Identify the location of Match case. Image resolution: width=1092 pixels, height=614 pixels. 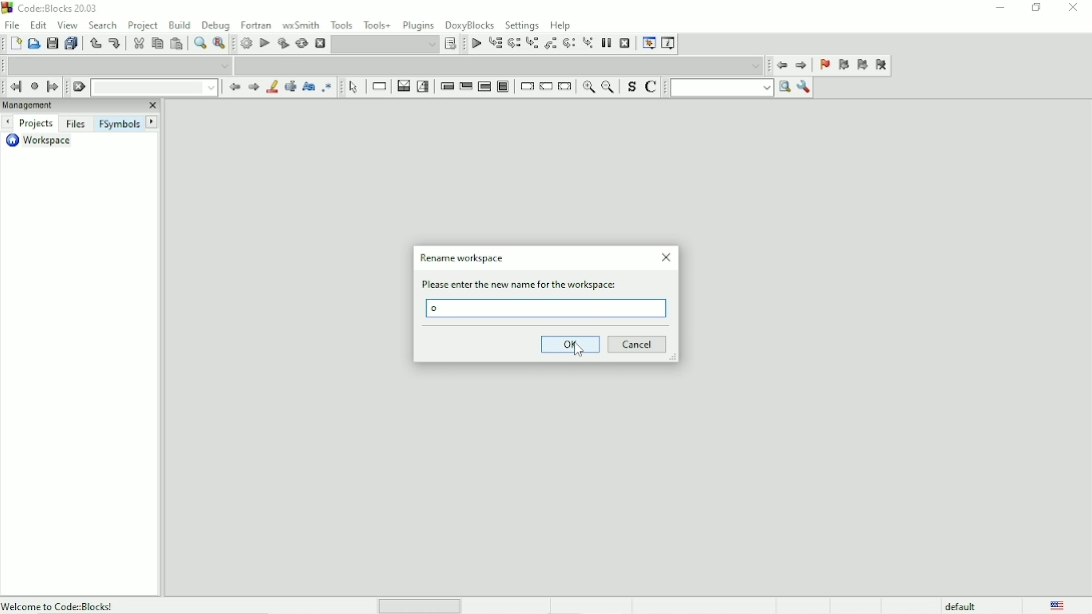
(307, 87).